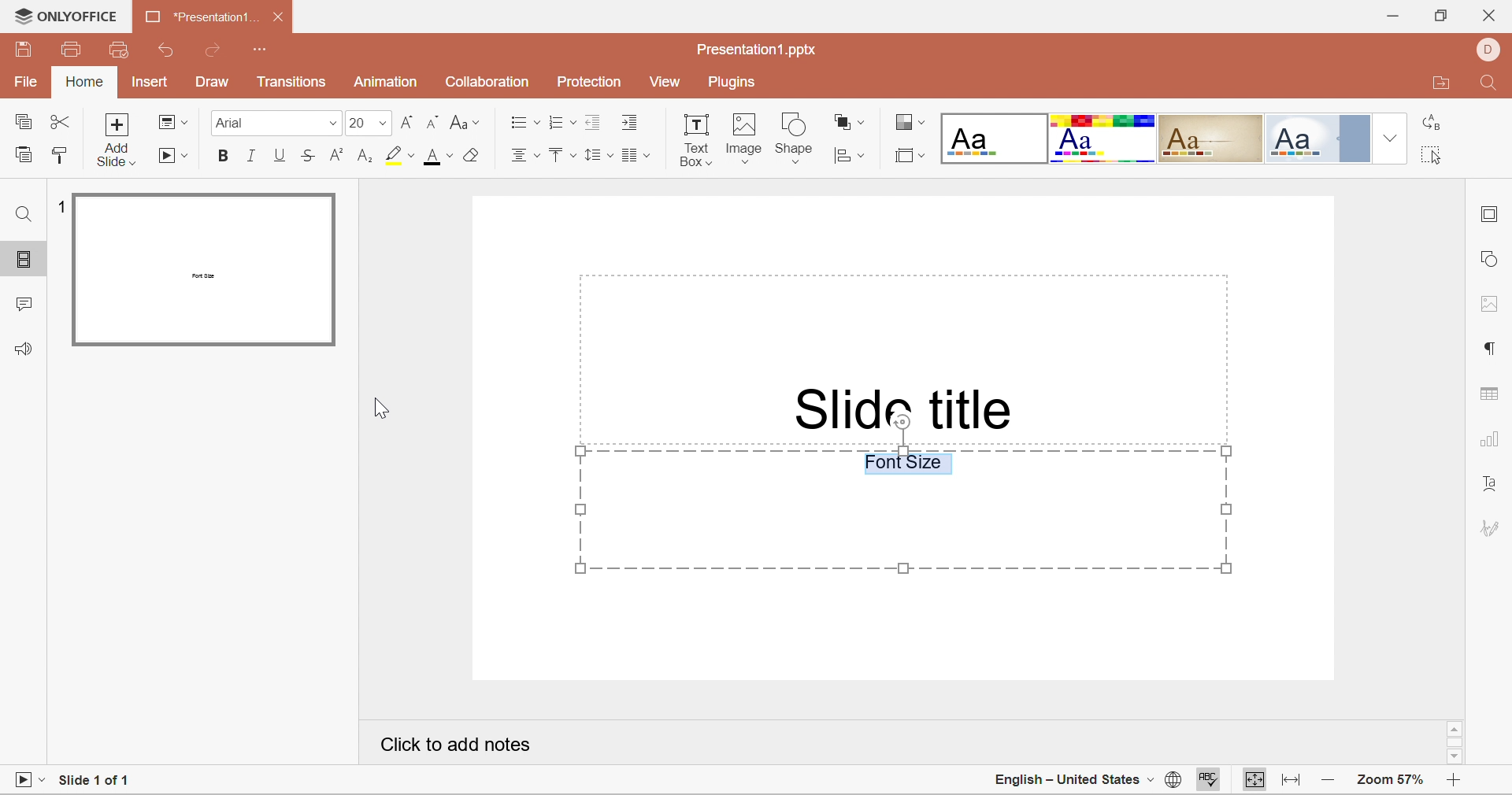 The height and width of the screenshot is (795, 1512). Describe the element at coordinates (1489, 348) in the screenshot. I see `paragraph settings` at that location.